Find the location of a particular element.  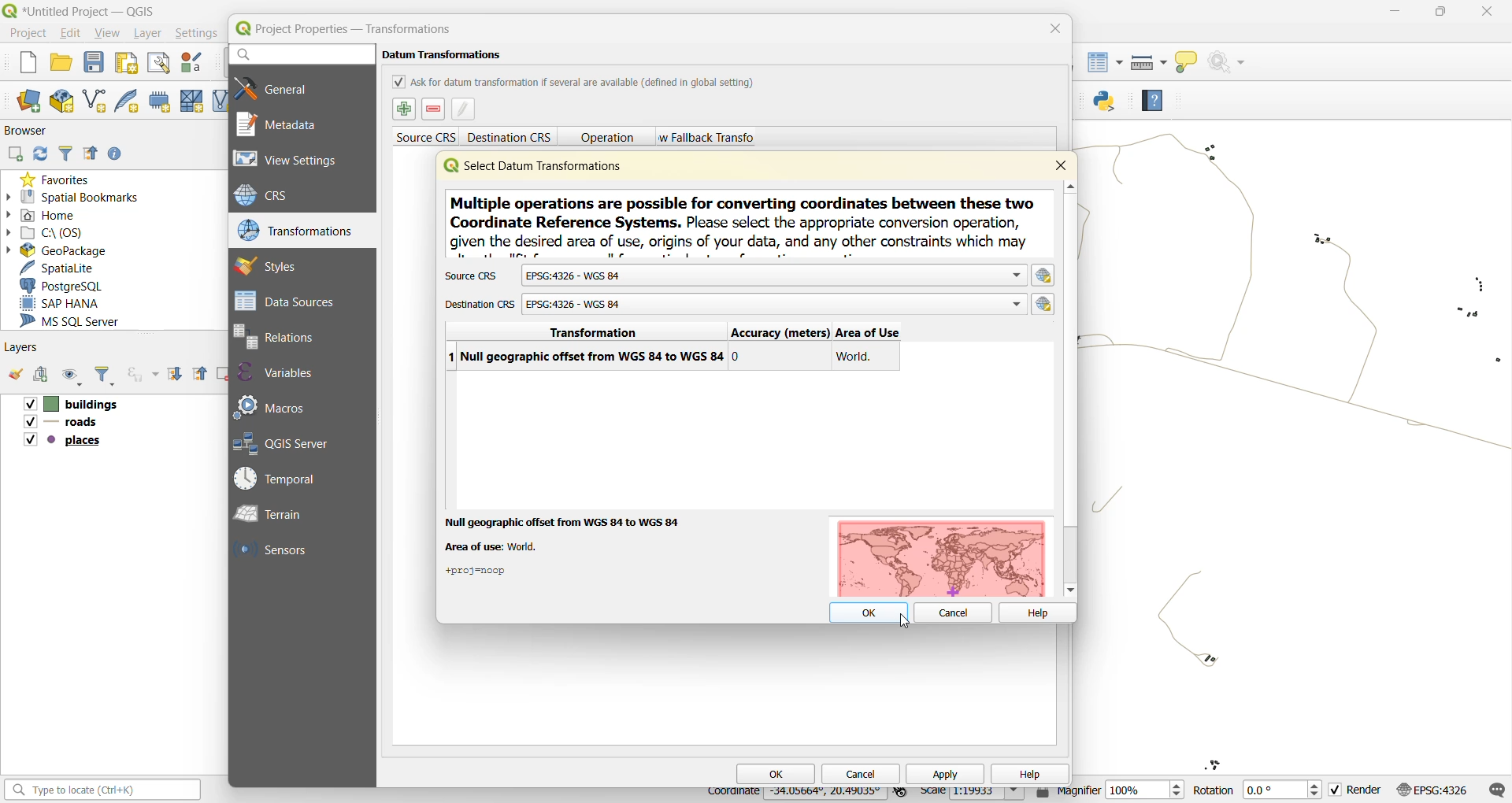

EPSG:4326 - WGS 84 is located at coordinates (775, 275).